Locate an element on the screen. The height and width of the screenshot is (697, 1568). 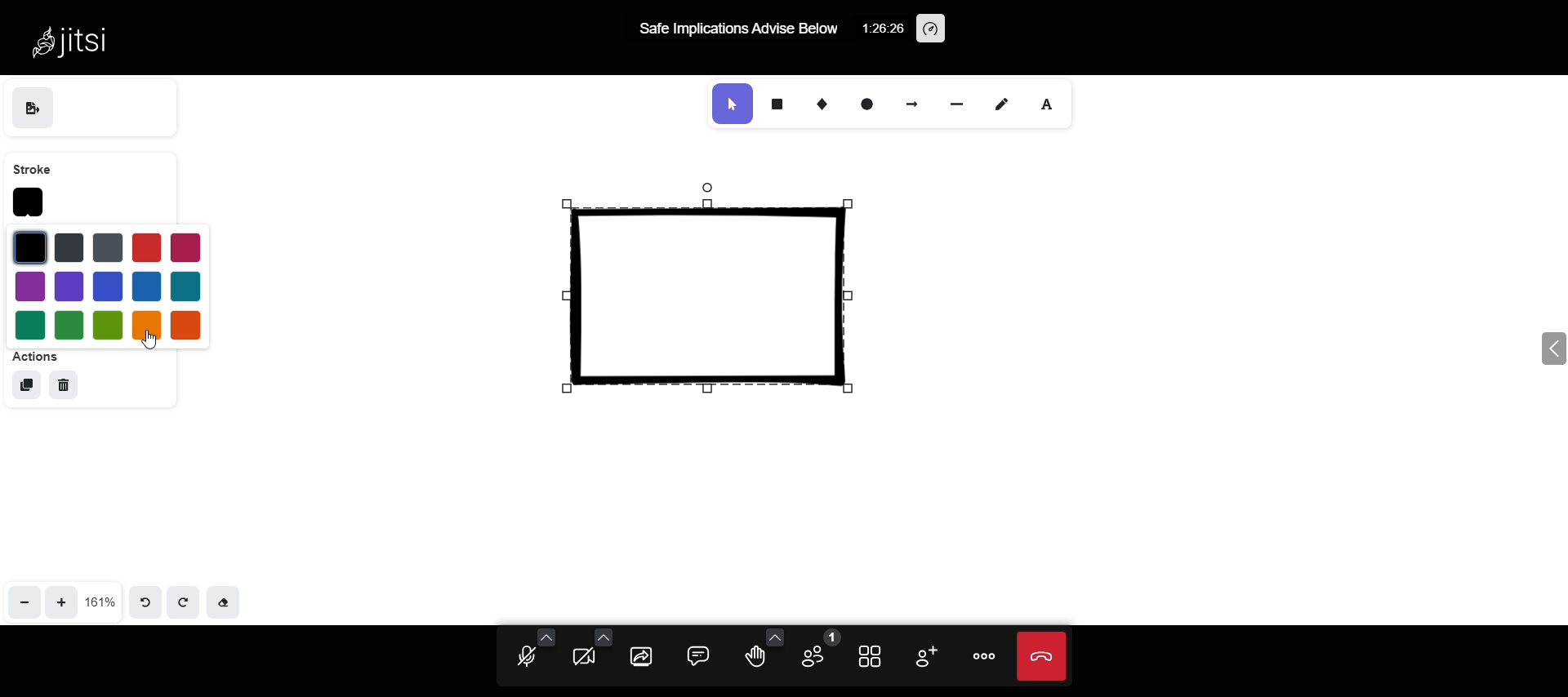
blue is located at coordinates (72, 248).